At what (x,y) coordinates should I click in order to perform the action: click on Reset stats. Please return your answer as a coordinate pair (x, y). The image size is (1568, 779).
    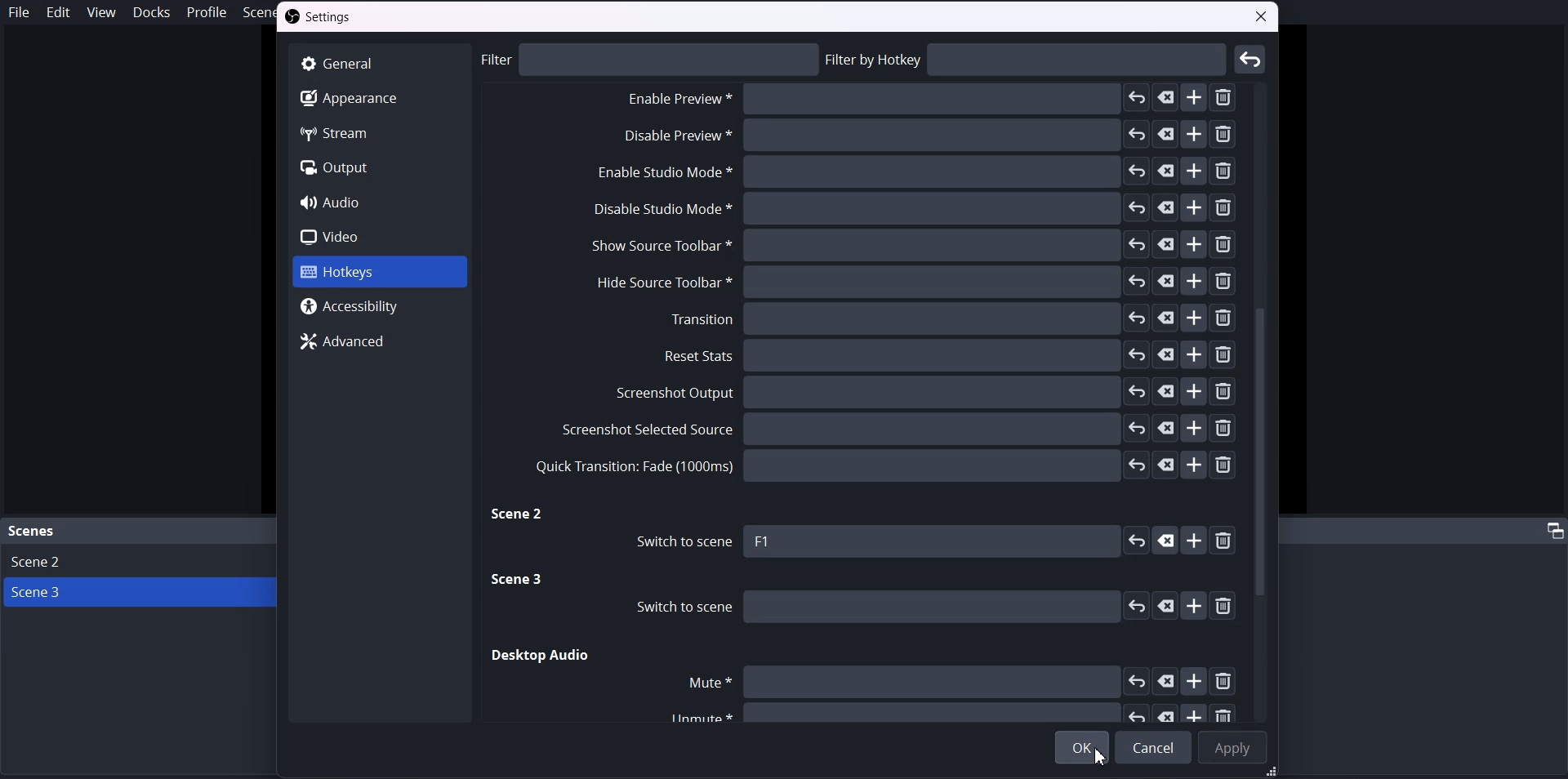
    Looking at the image, I should click on (951, 355).